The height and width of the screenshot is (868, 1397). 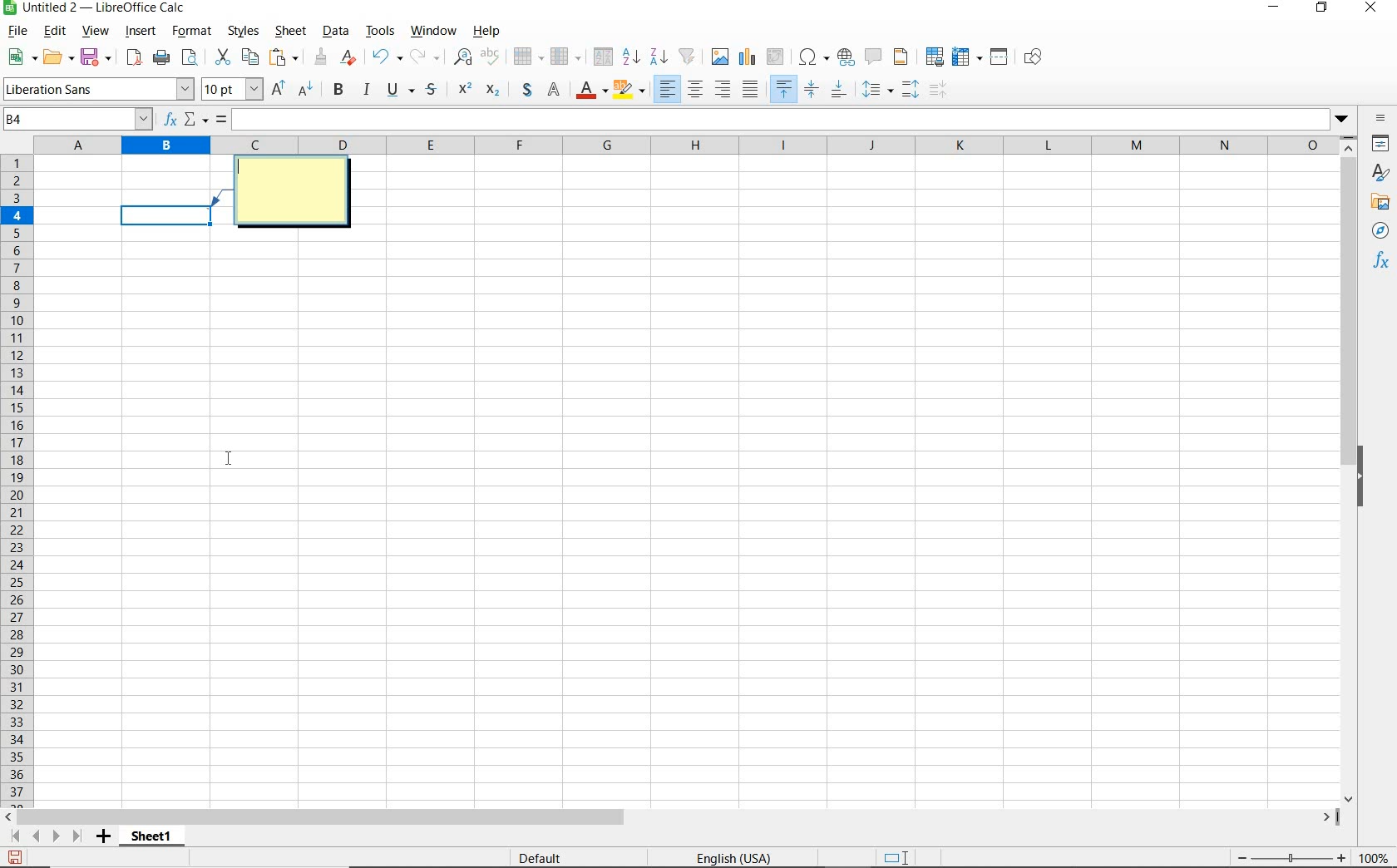 I want to click on sheet1, so click(x=155, y=839).